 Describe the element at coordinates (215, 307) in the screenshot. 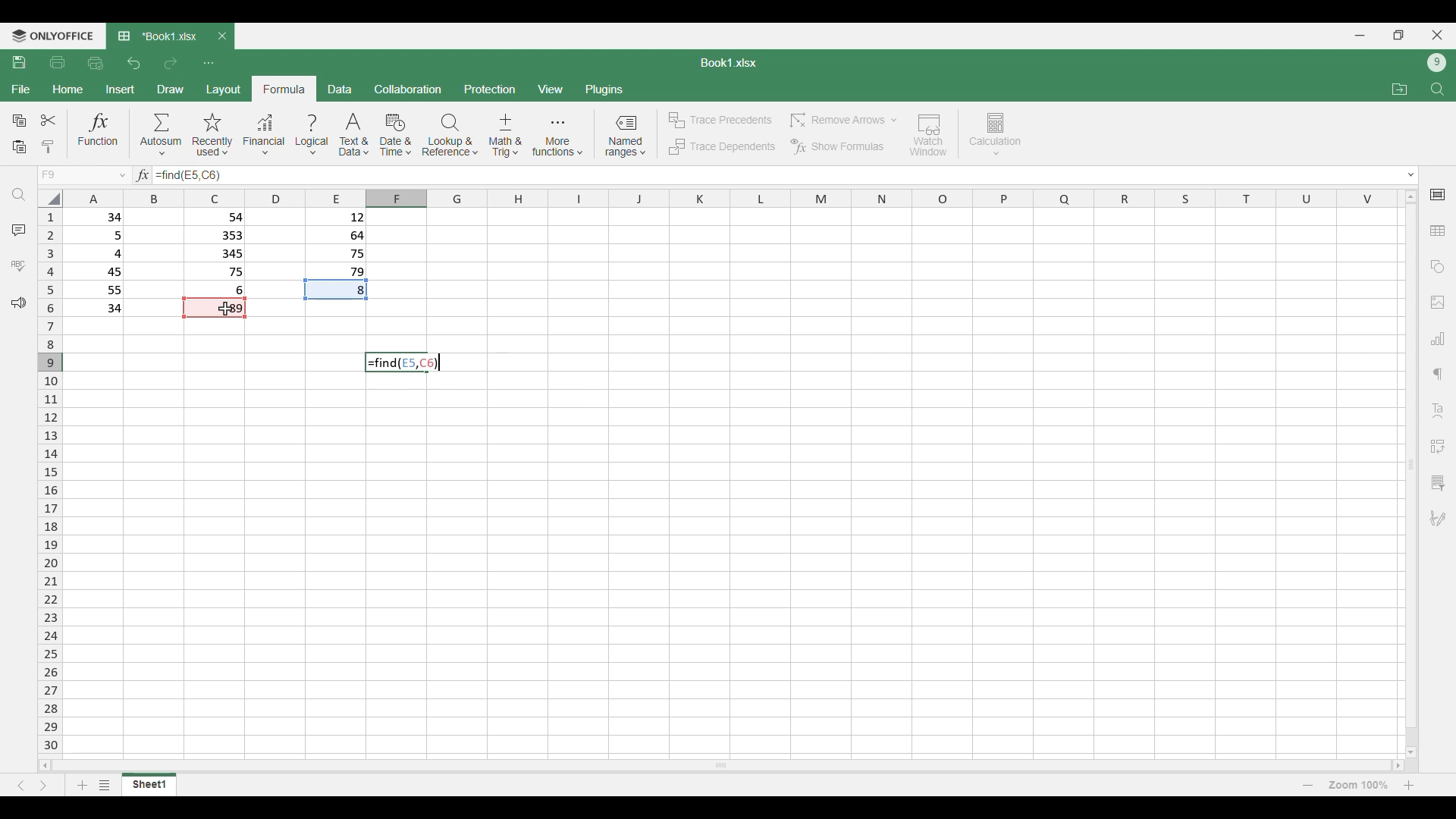

I see `Indicates cell is used in current function` at that location.